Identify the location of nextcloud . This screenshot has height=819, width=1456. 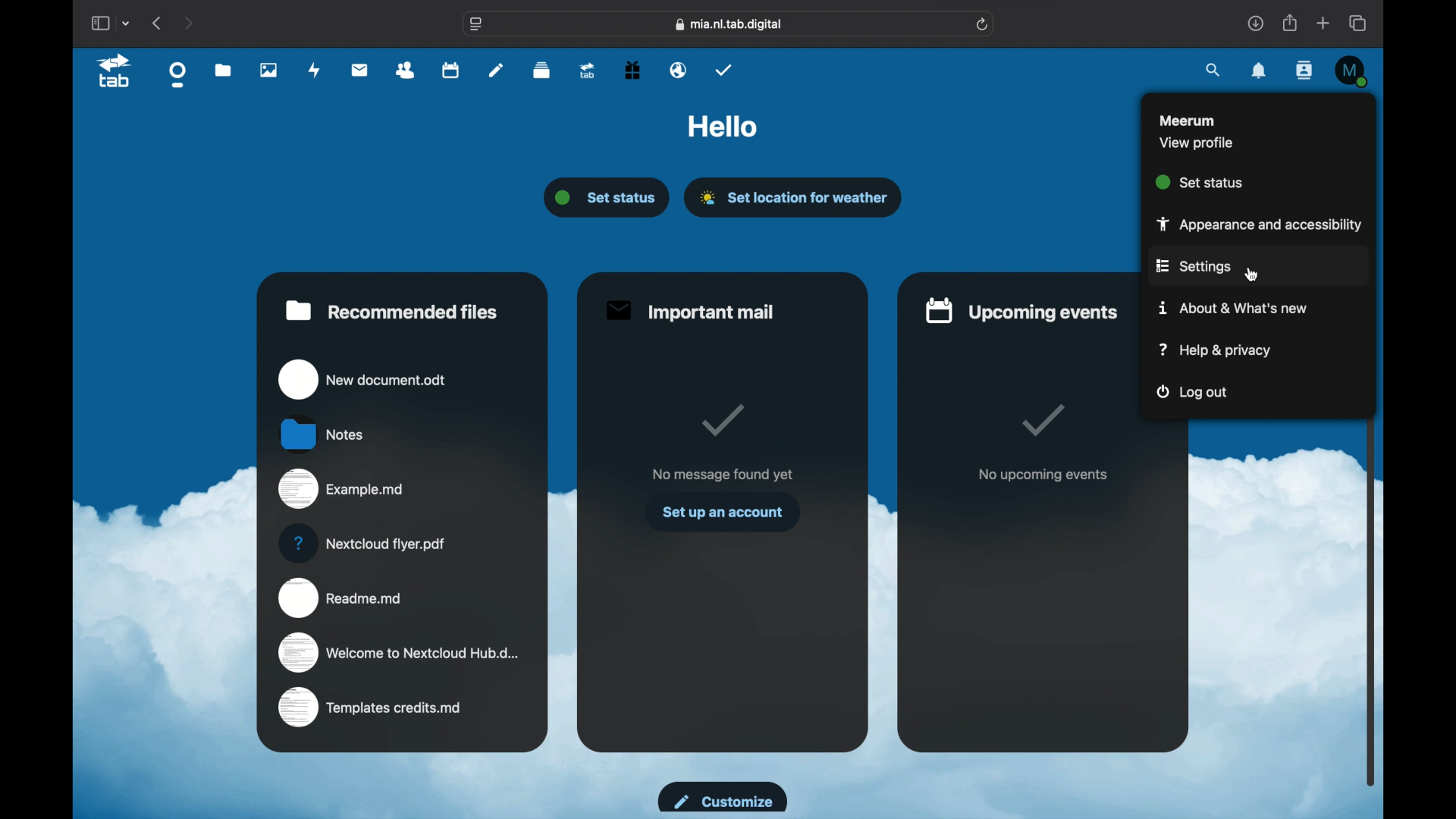
(362, 542).